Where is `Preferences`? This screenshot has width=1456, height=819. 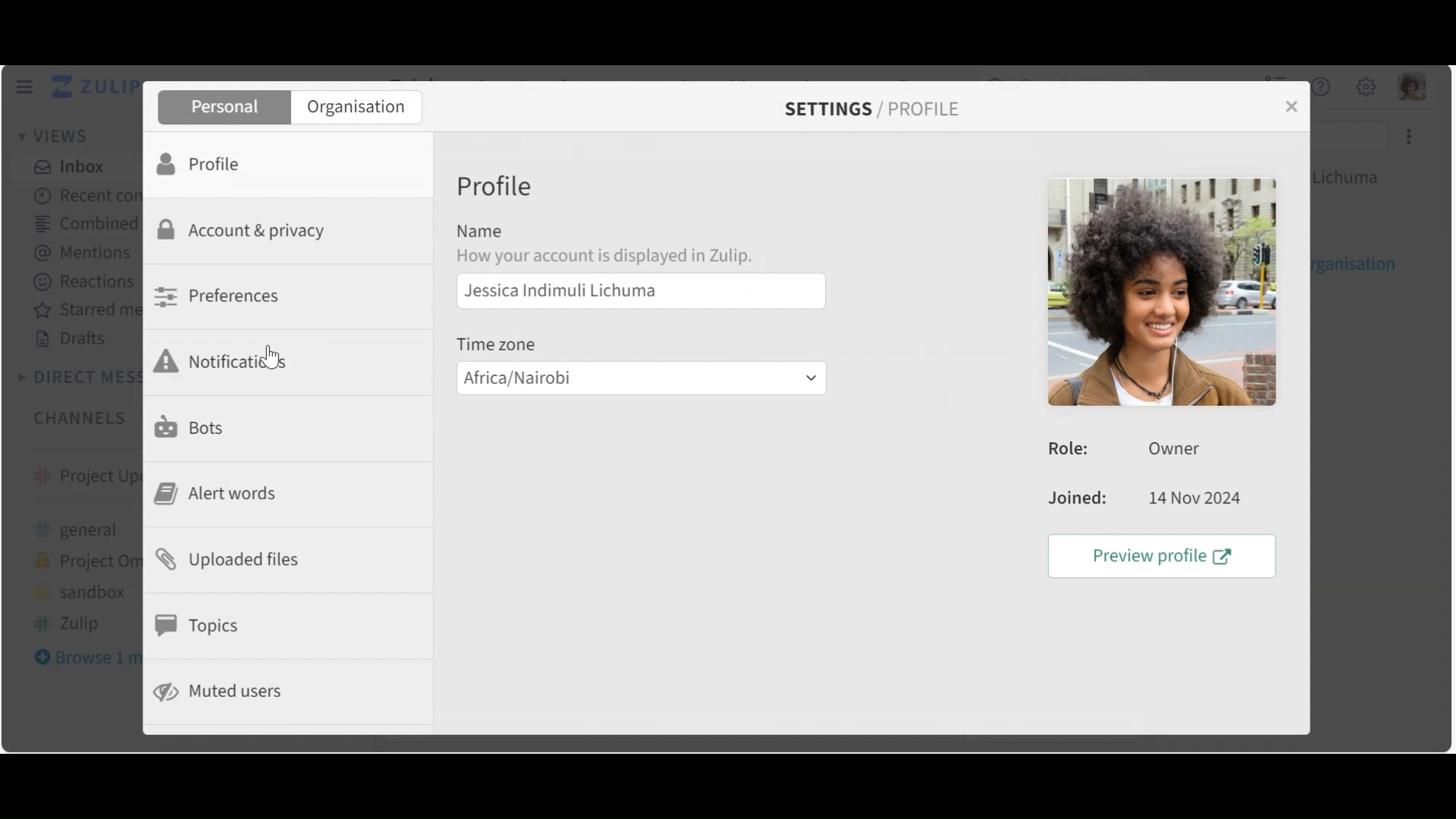 Preferences is located at coordinates (221, 296).